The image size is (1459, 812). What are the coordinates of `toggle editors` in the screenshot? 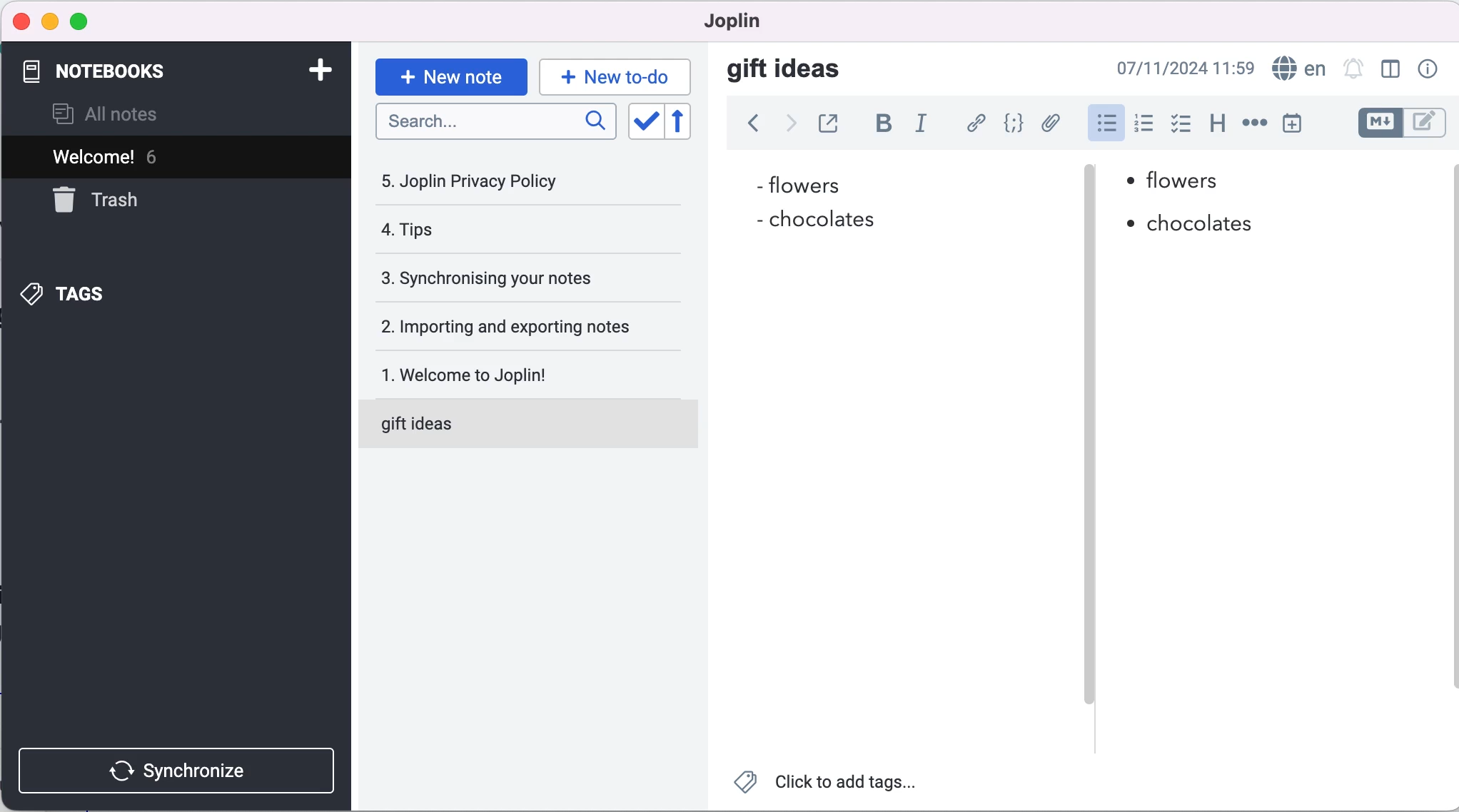 It's located at (1400, 123).